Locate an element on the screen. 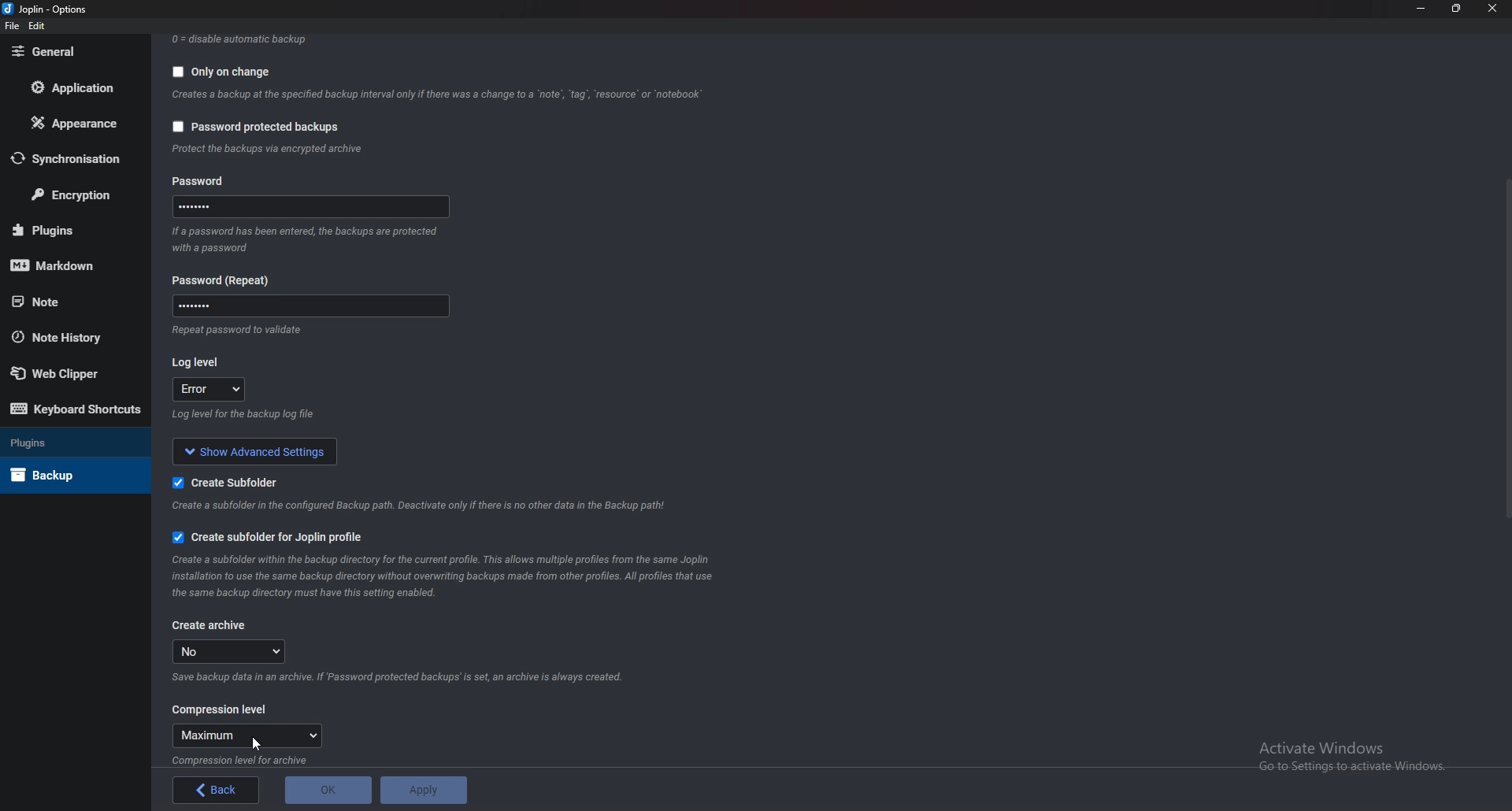 The width and height of the screenshot is (1512, 811). Plugins is located at coordinates (63, 441).